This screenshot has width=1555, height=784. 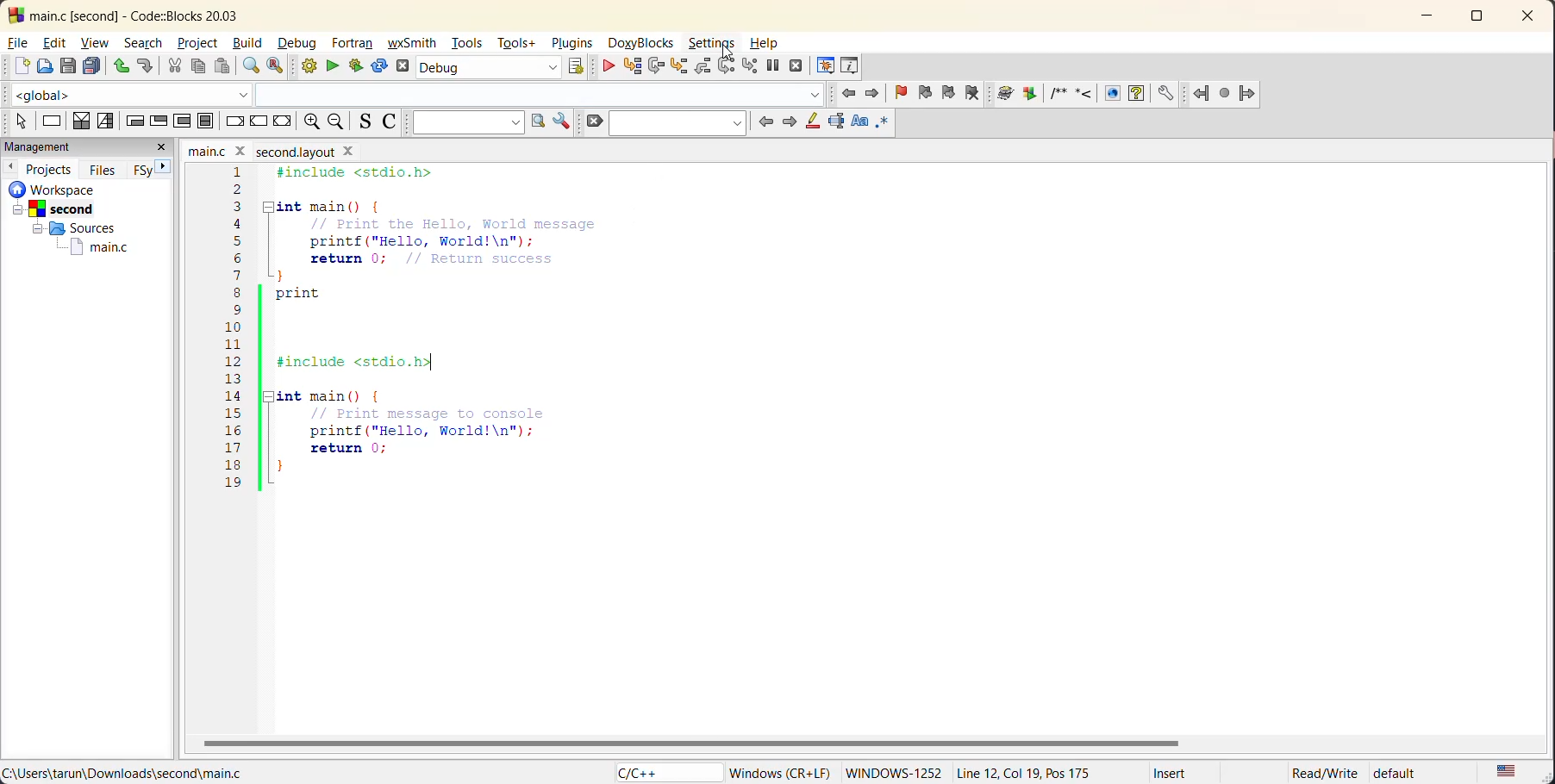 I want to click on windows (CR+LF), so click(x=781, y=772).